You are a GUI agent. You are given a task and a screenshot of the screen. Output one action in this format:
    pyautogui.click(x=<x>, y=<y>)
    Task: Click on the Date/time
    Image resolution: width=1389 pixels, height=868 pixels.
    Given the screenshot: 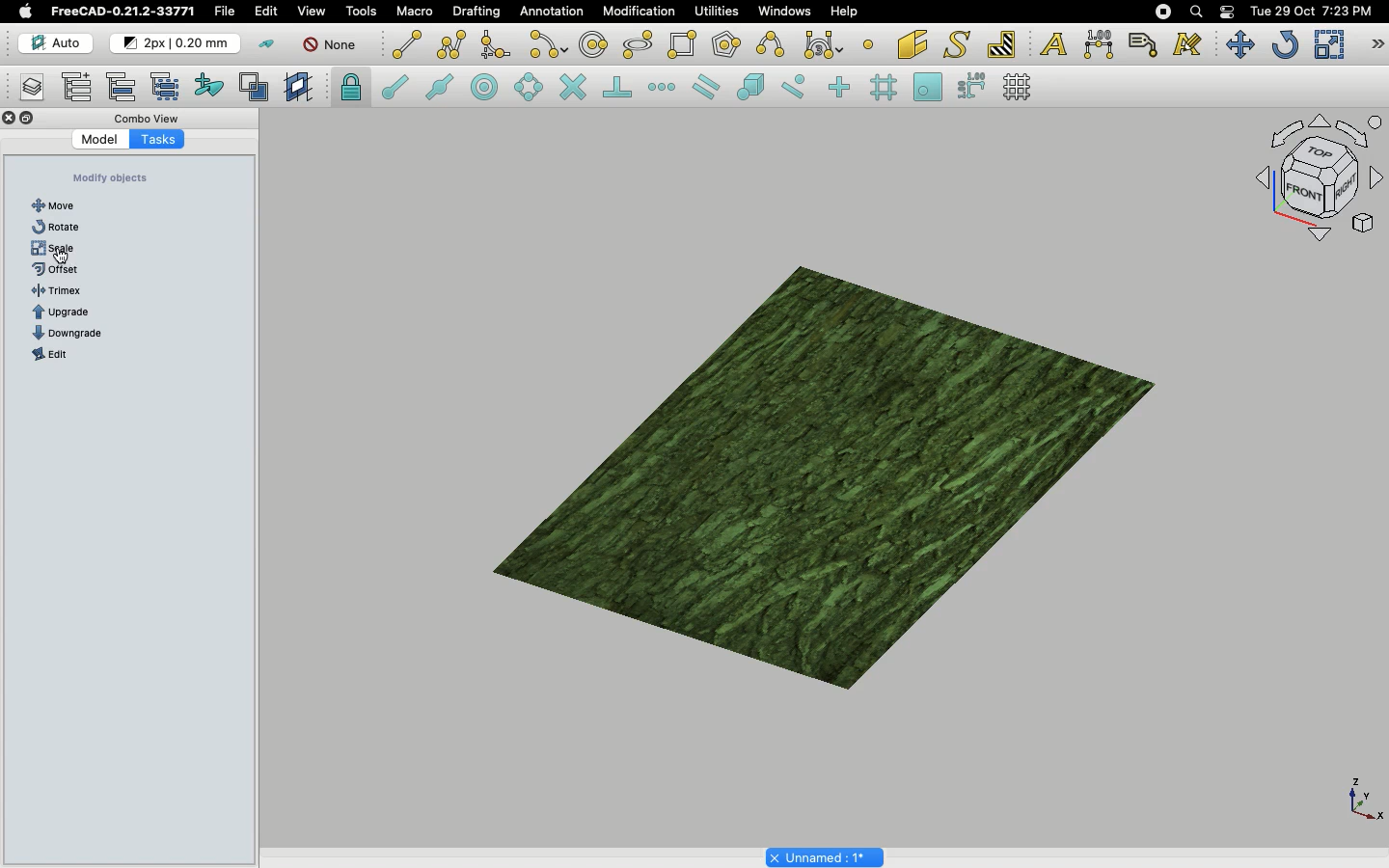 What is the action you would take?
    pyautogui.click(x=1312, y=12)
    